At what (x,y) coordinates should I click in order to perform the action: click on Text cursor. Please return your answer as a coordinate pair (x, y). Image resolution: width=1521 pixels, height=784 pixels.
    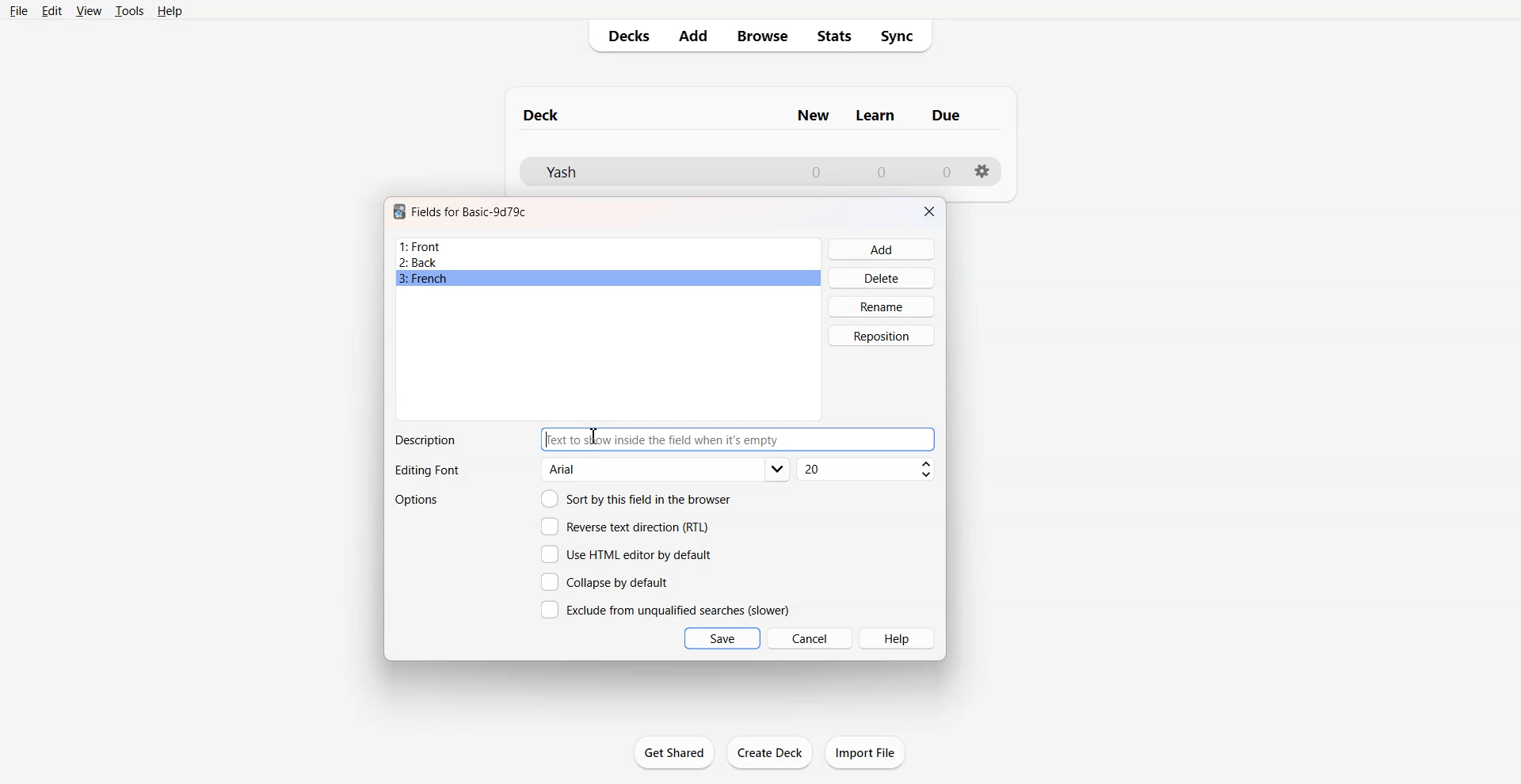
    Looking at the image, I should click on (593, 436).